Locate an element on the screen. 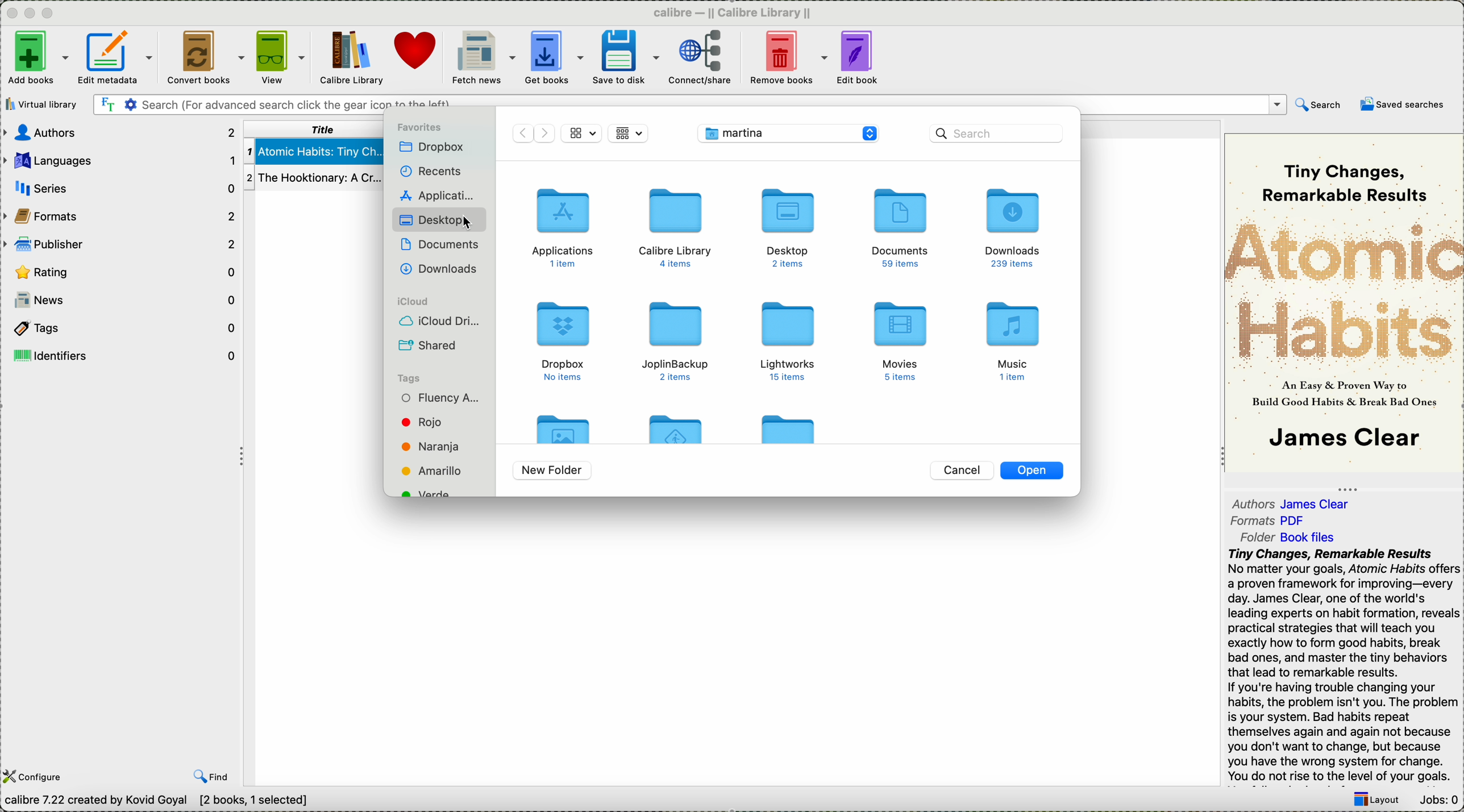  folder is located at coordinates (678, 426).